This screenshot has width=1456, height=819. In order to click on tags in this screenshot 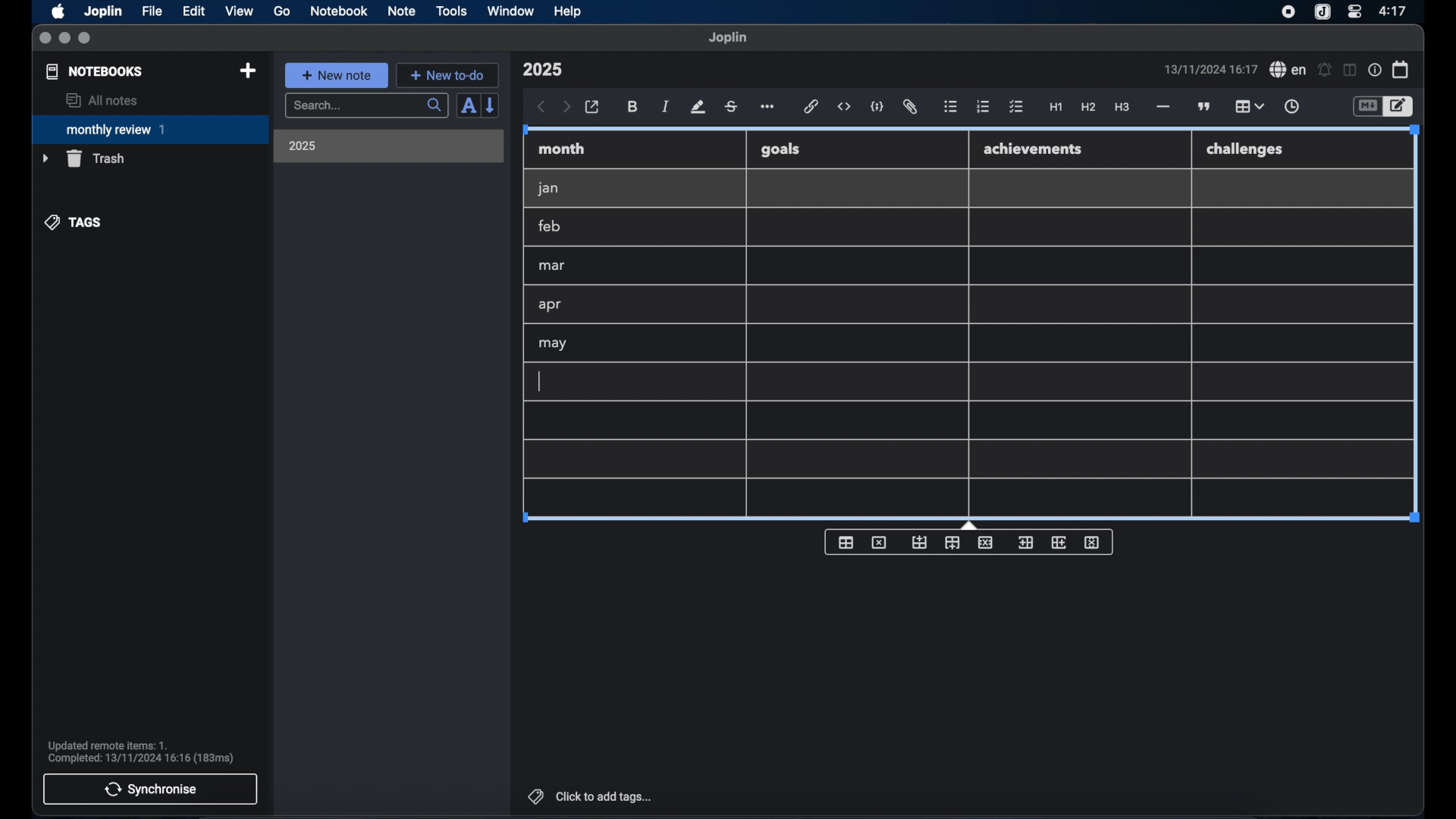, I will do `click(74, 222)`.